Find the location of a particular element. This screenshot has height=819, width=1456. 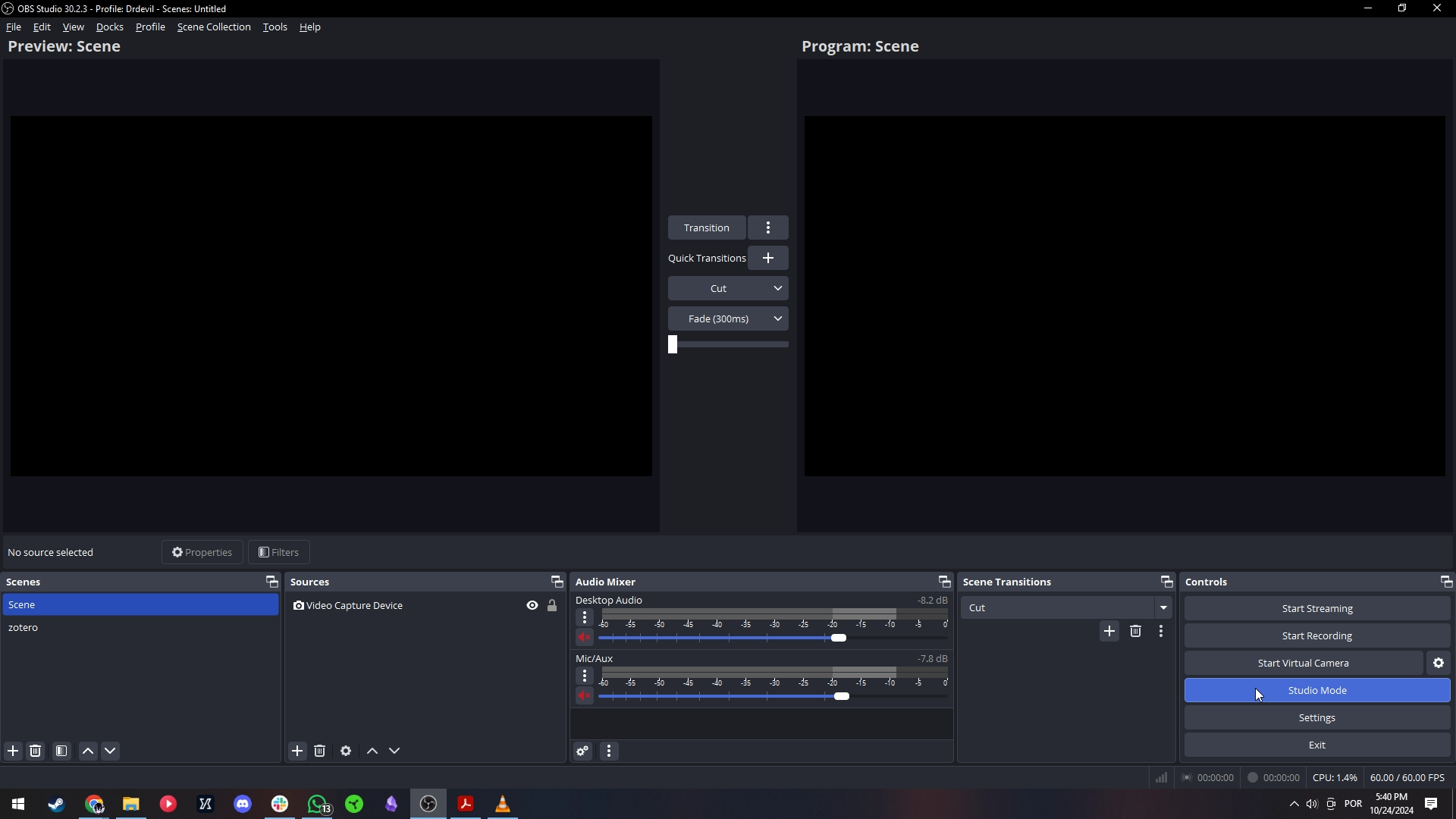

Properties is located at coordinates (202, 553).